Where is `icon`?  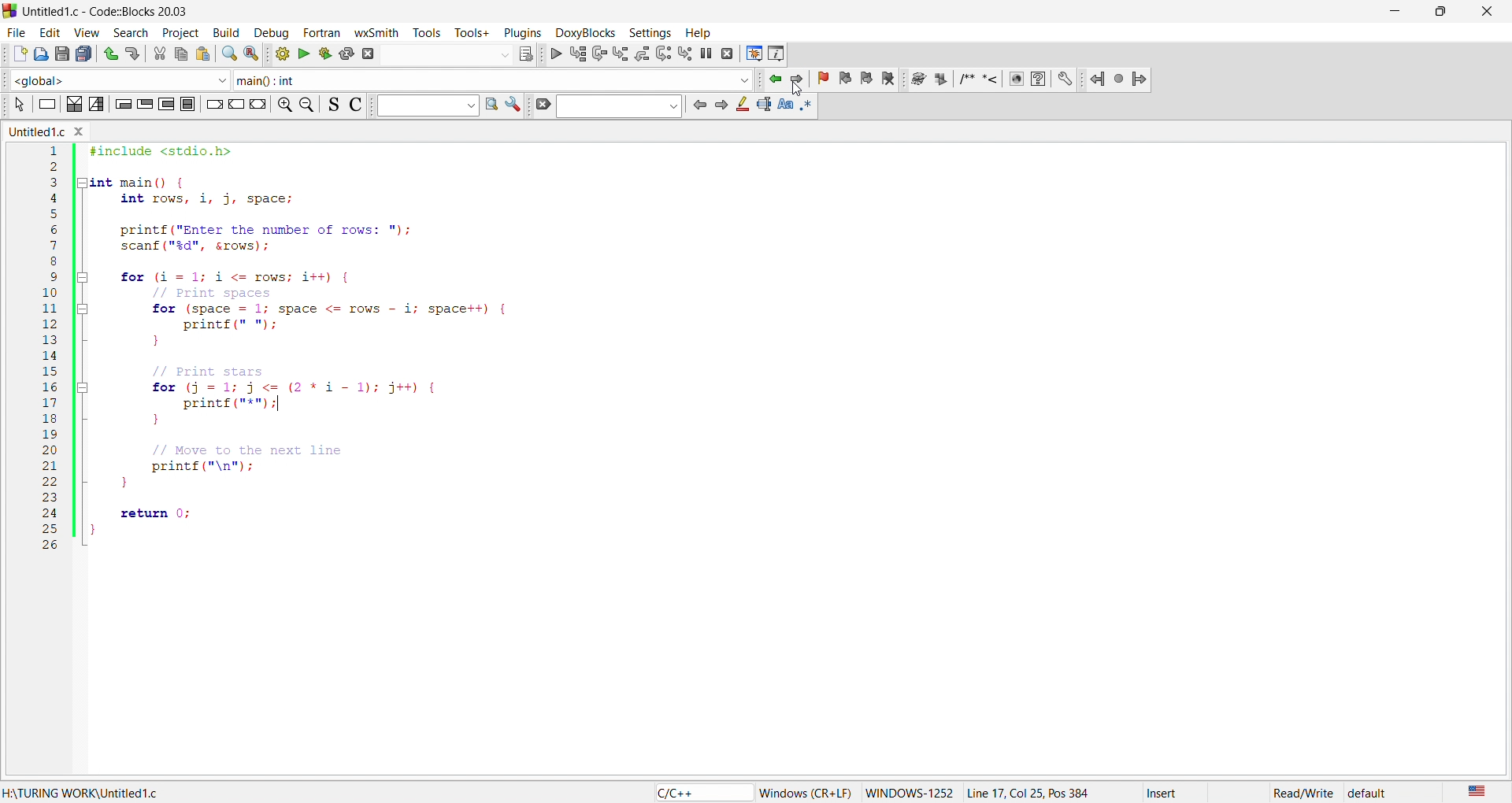 icon is located at coordinates (69, 105).